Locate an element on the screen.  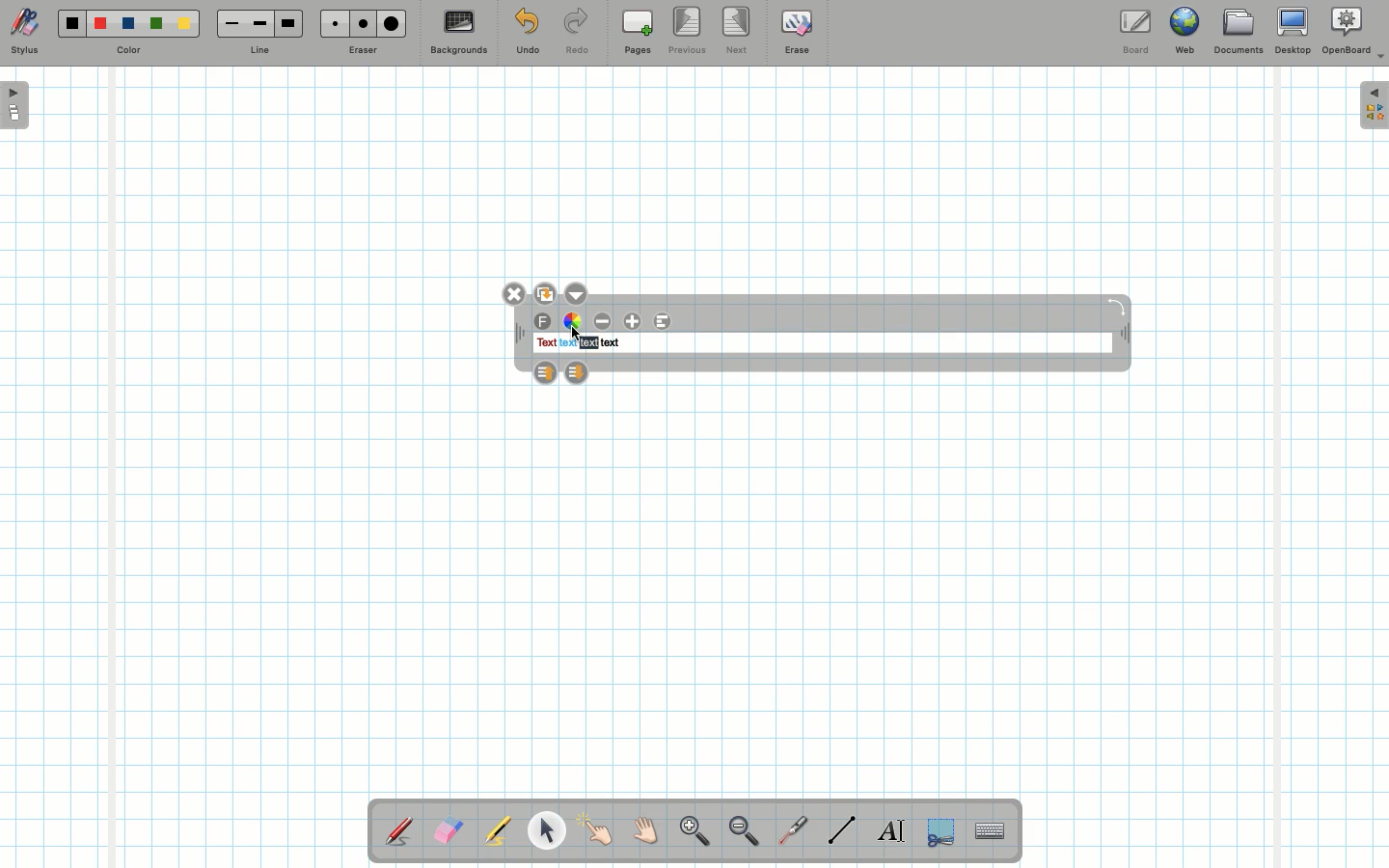
Line is located at coordinates (259, 51).